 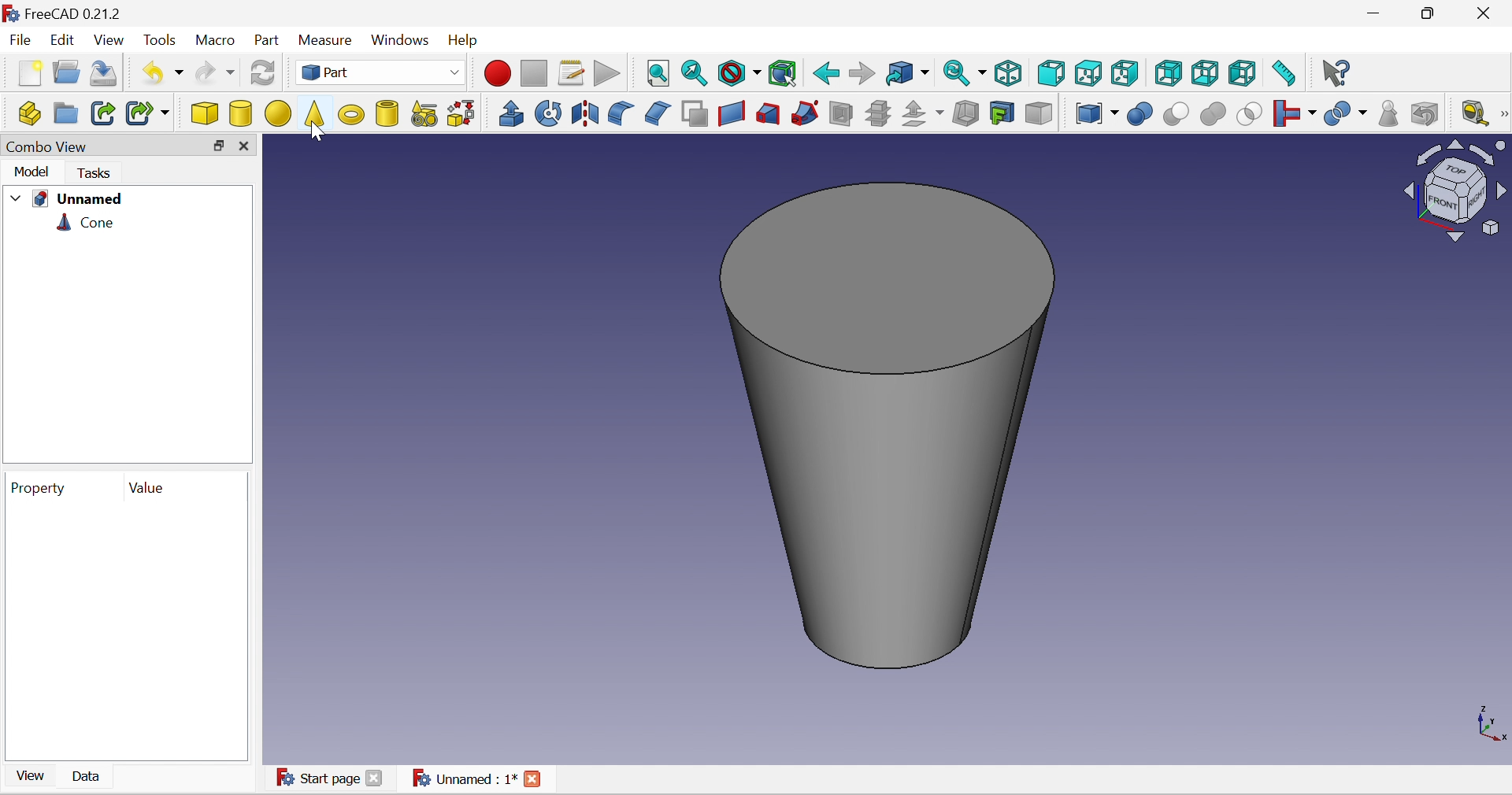 I want to click on Macro recording, so click(x=498, y=73).